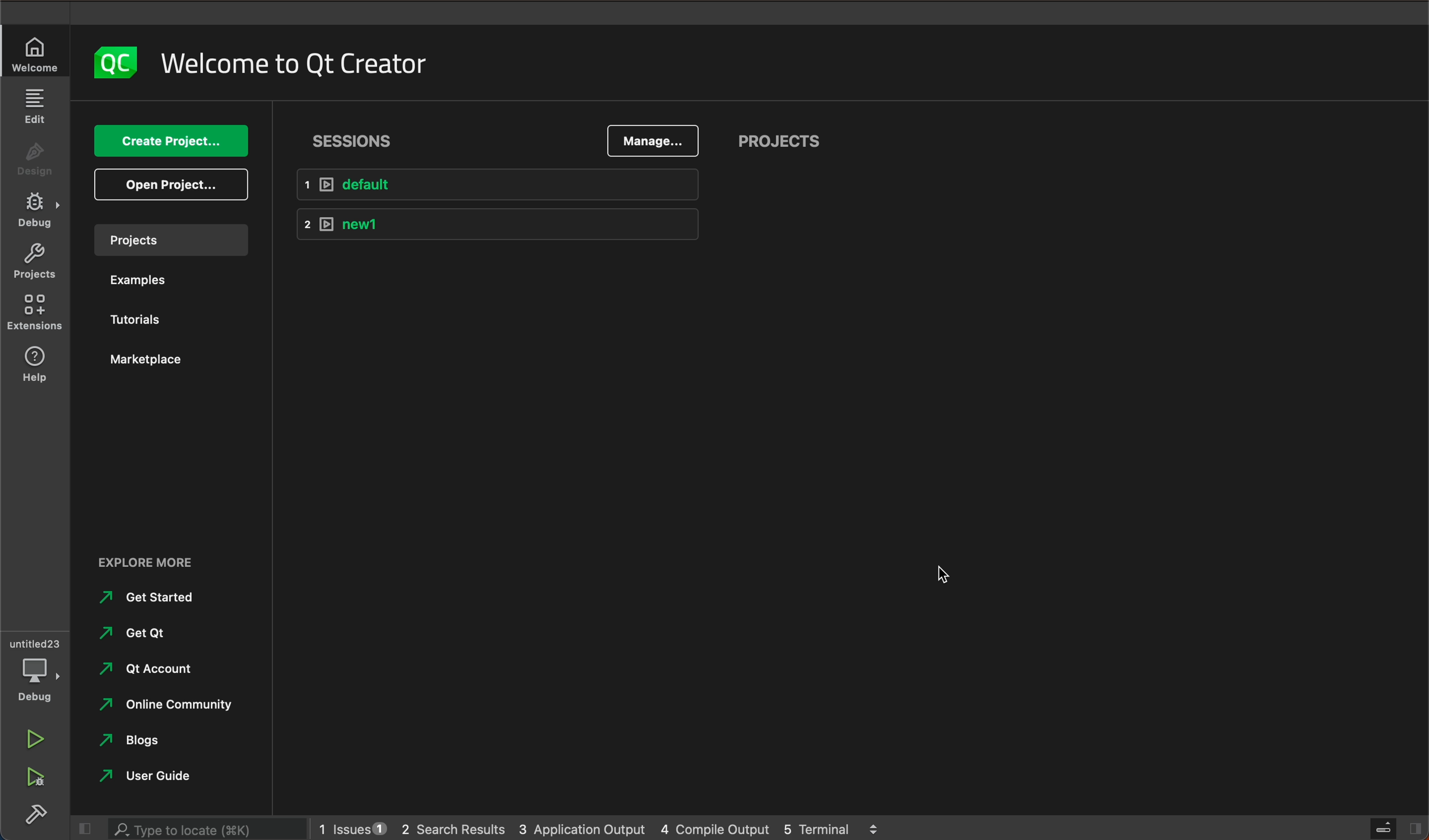 This screenshot has width=1429, height=840. What do you see at coordinates (583, 826) in the screenshot?
I see `application output` at bounding box center [583, 826].